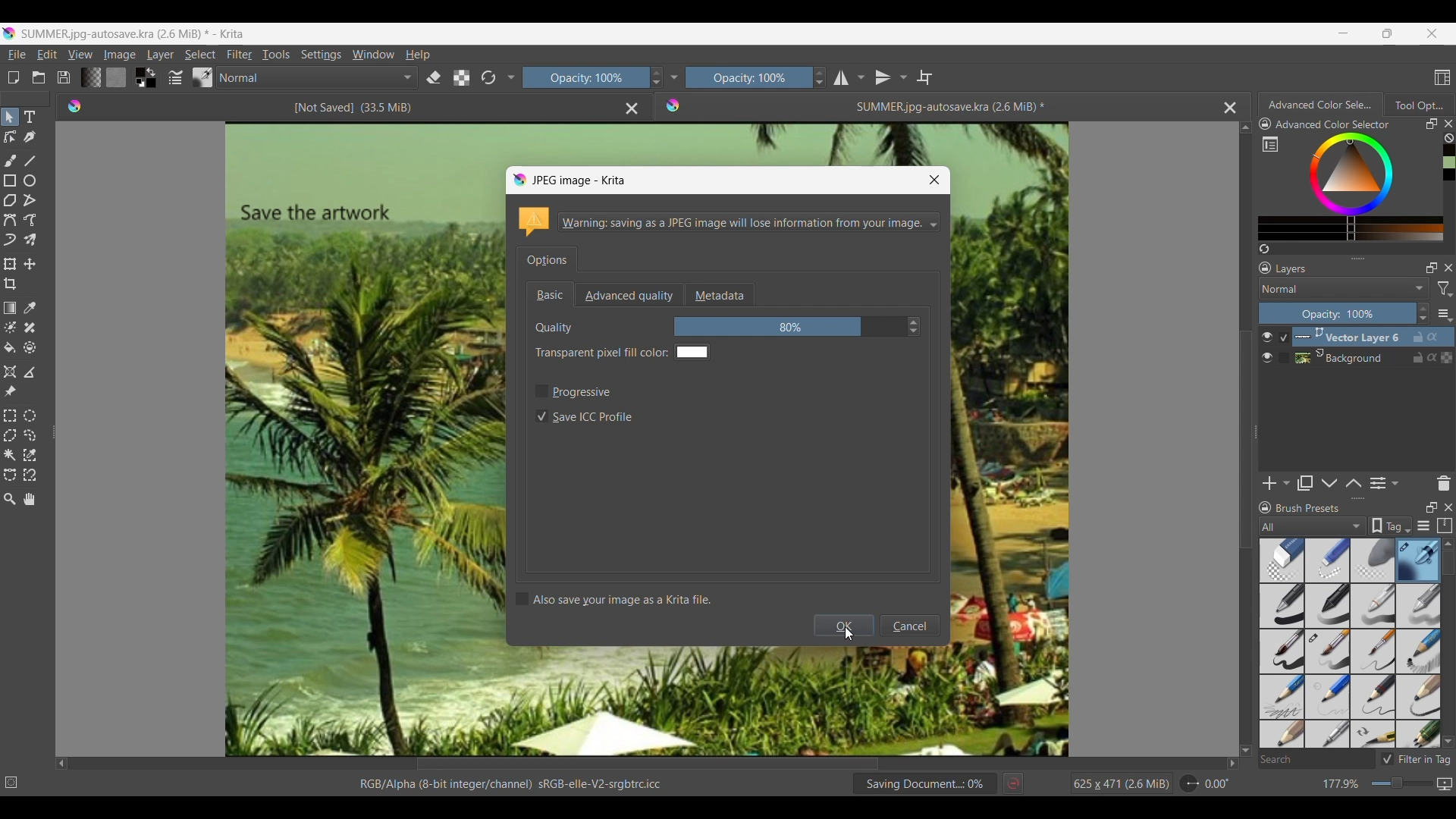  Describe the element at coordinates (1401, 783) in the screenshot. I see `Slider to change zoom` at that location.